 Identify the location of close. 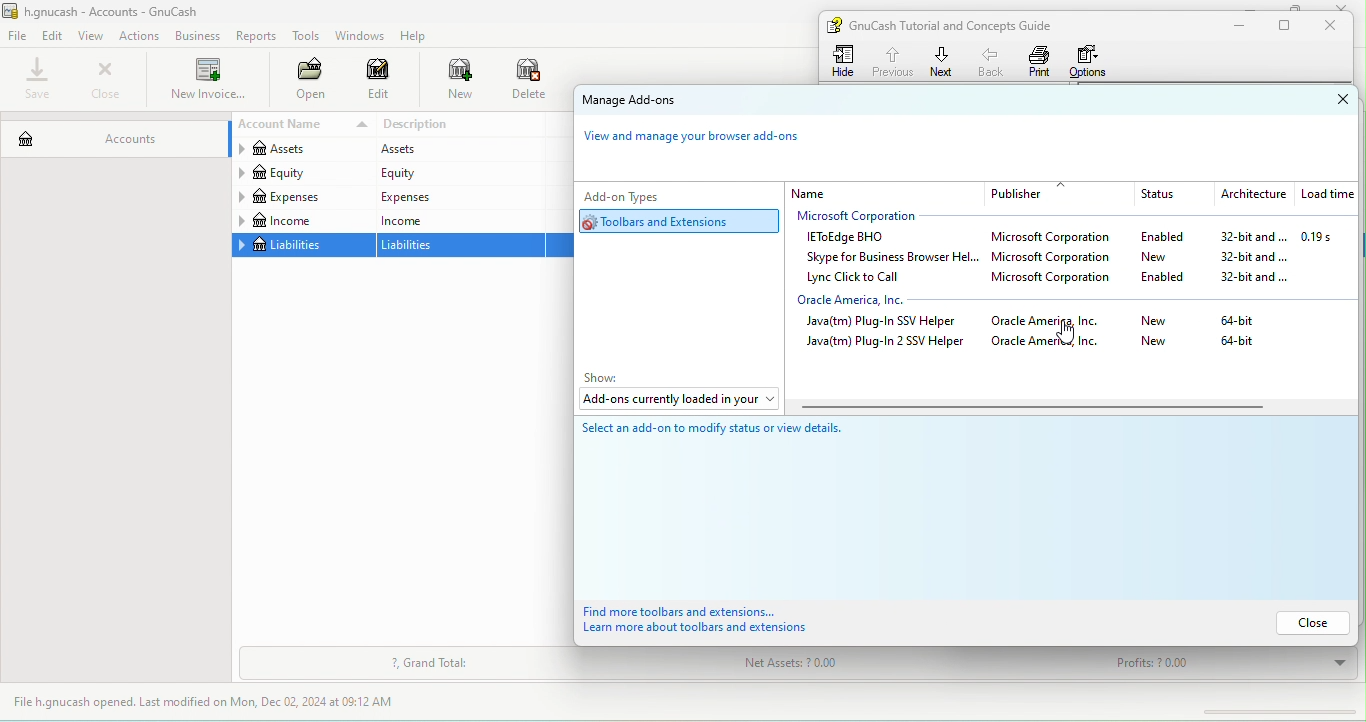
(1309, 622).